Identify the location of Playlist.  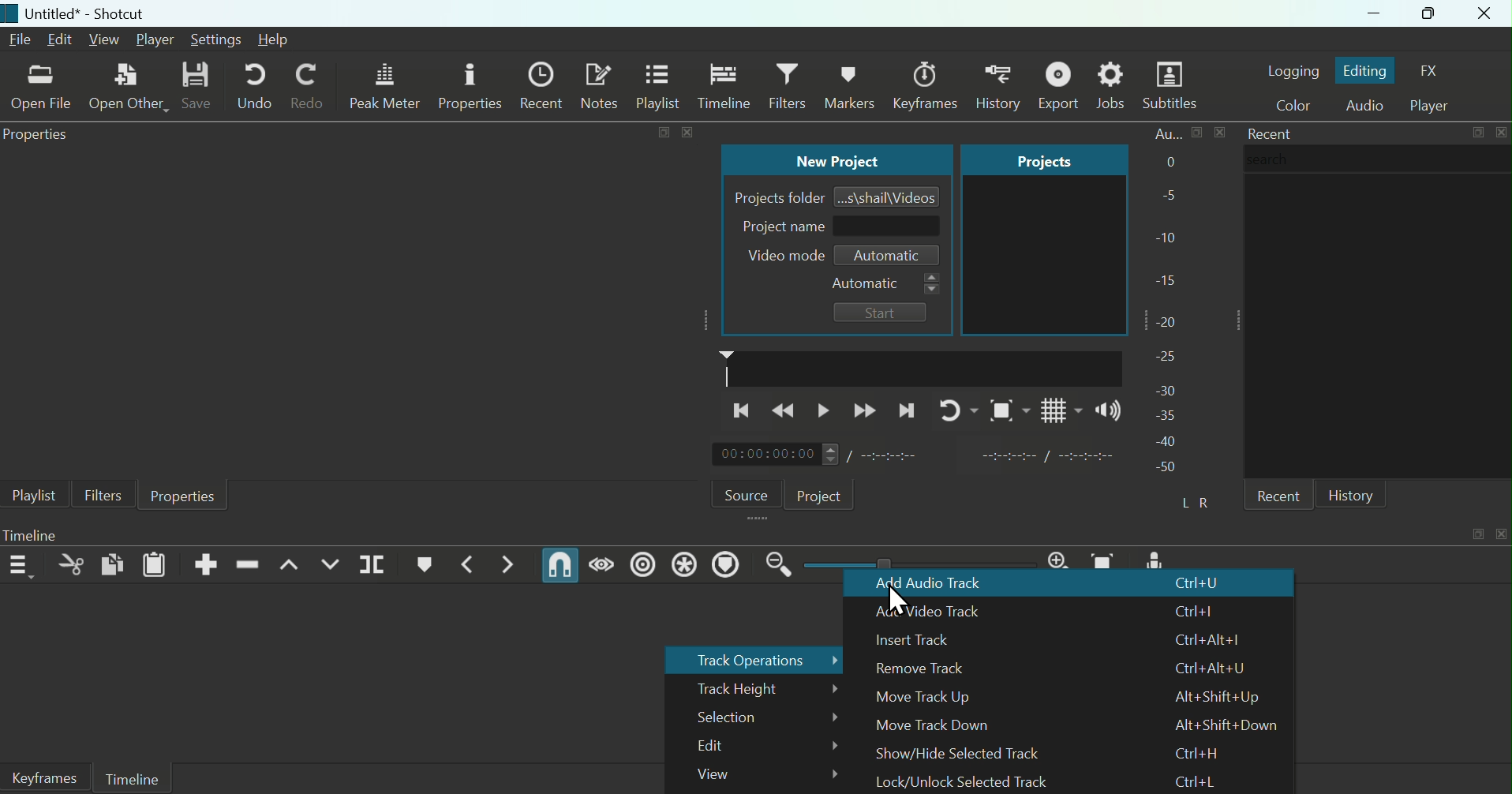
(661, 87).